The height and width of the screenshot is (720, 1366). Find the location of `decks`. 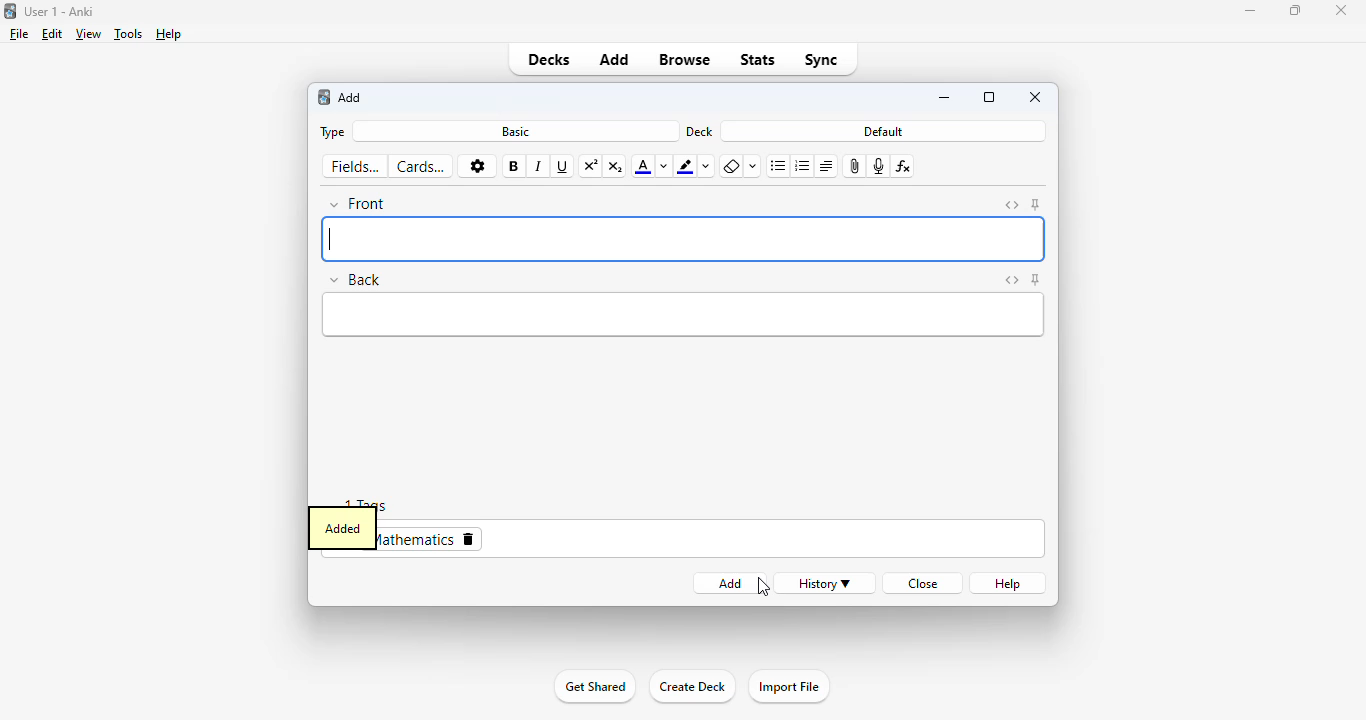

decks is located at coordinates (548, 59).